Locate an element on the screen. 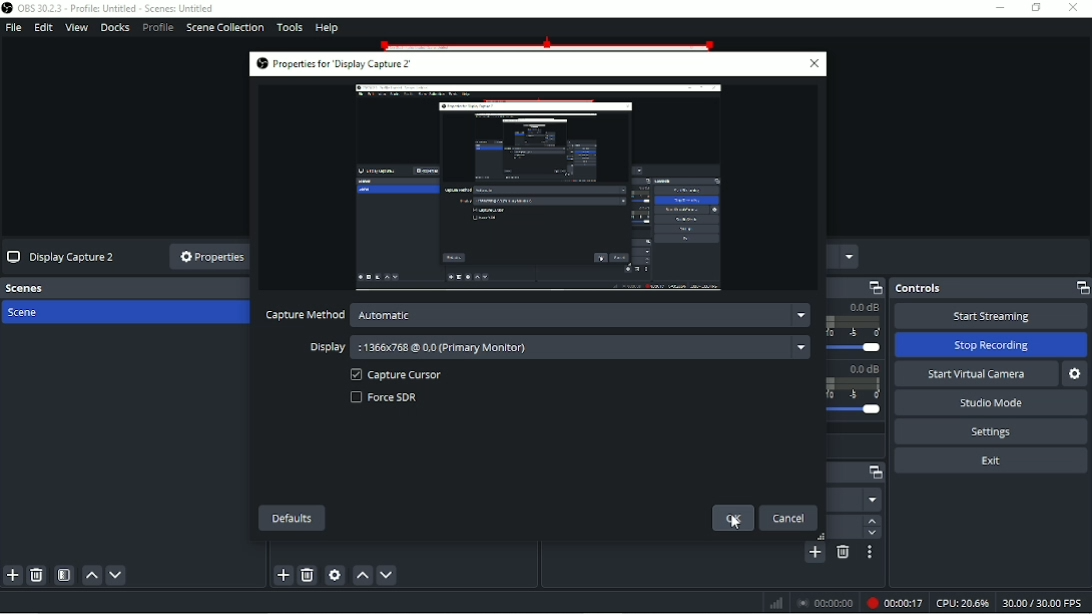 This screenshot has width=1092, height=614. Remove selected scene is located at coordinates (37, 575).